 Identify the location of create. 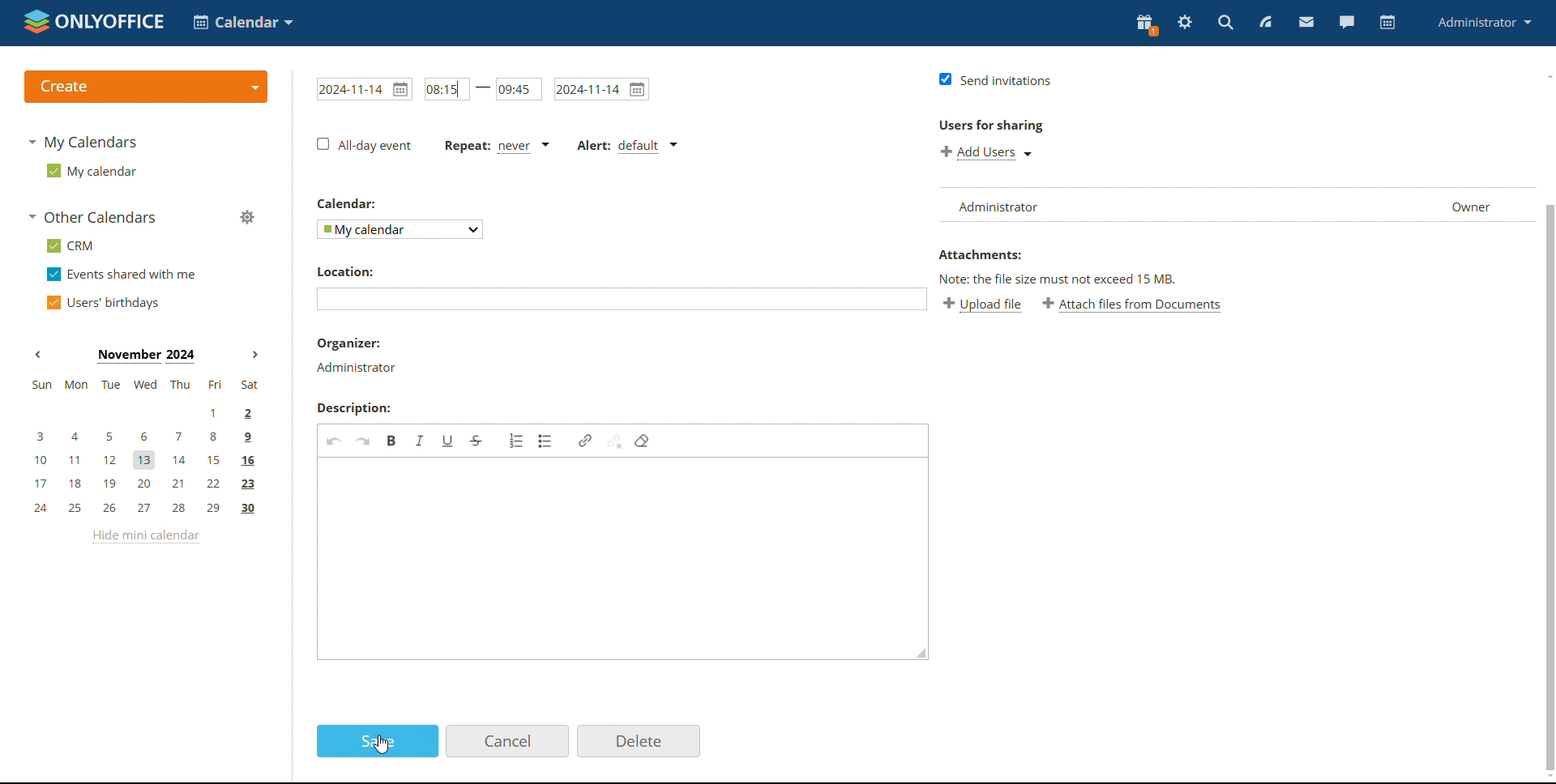
(144, 87).